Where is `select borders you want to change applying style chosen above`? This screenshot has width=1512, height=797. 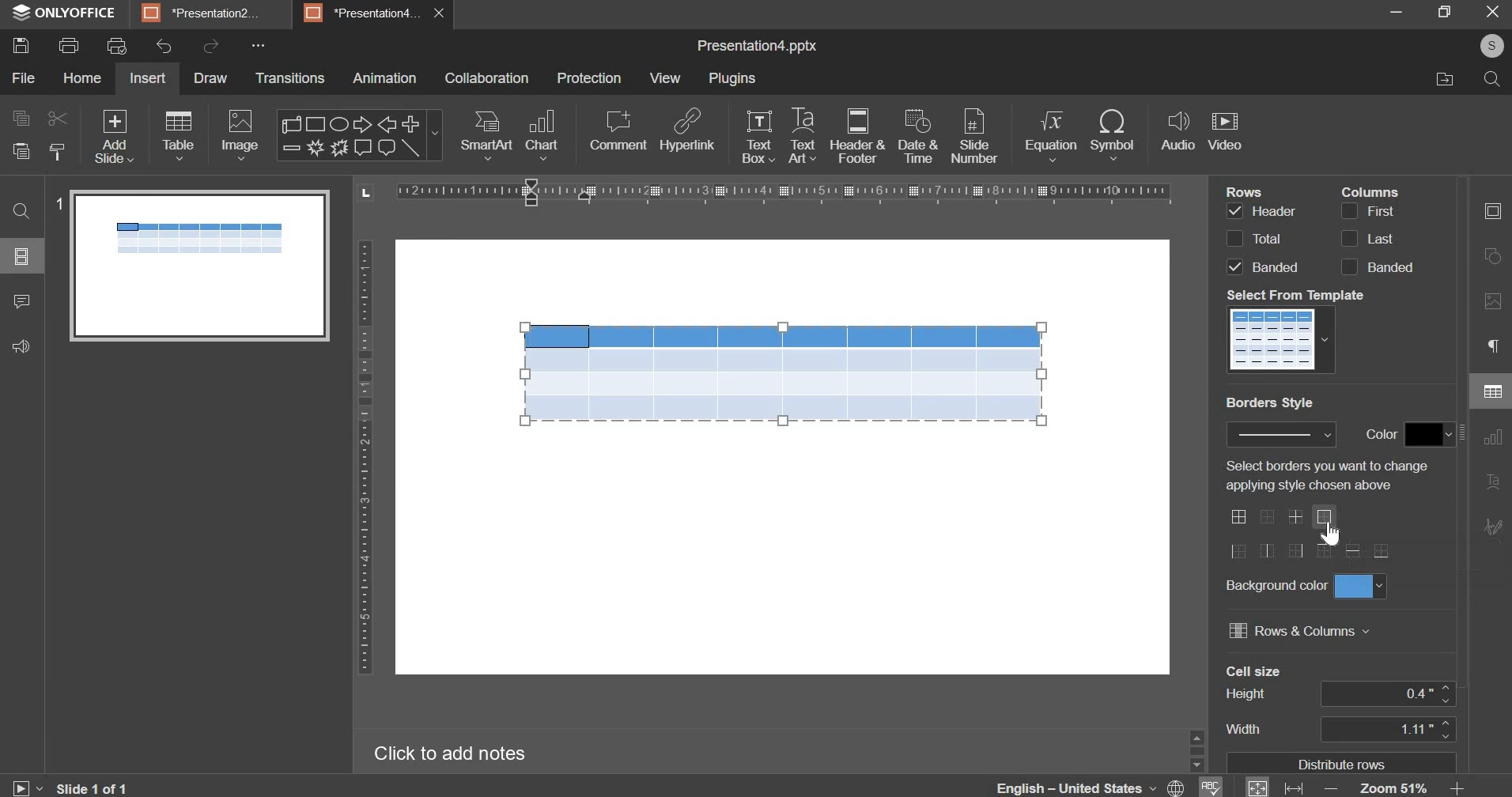 select borders you want to change applying style chosen above is located at coordinates (1328, 476).